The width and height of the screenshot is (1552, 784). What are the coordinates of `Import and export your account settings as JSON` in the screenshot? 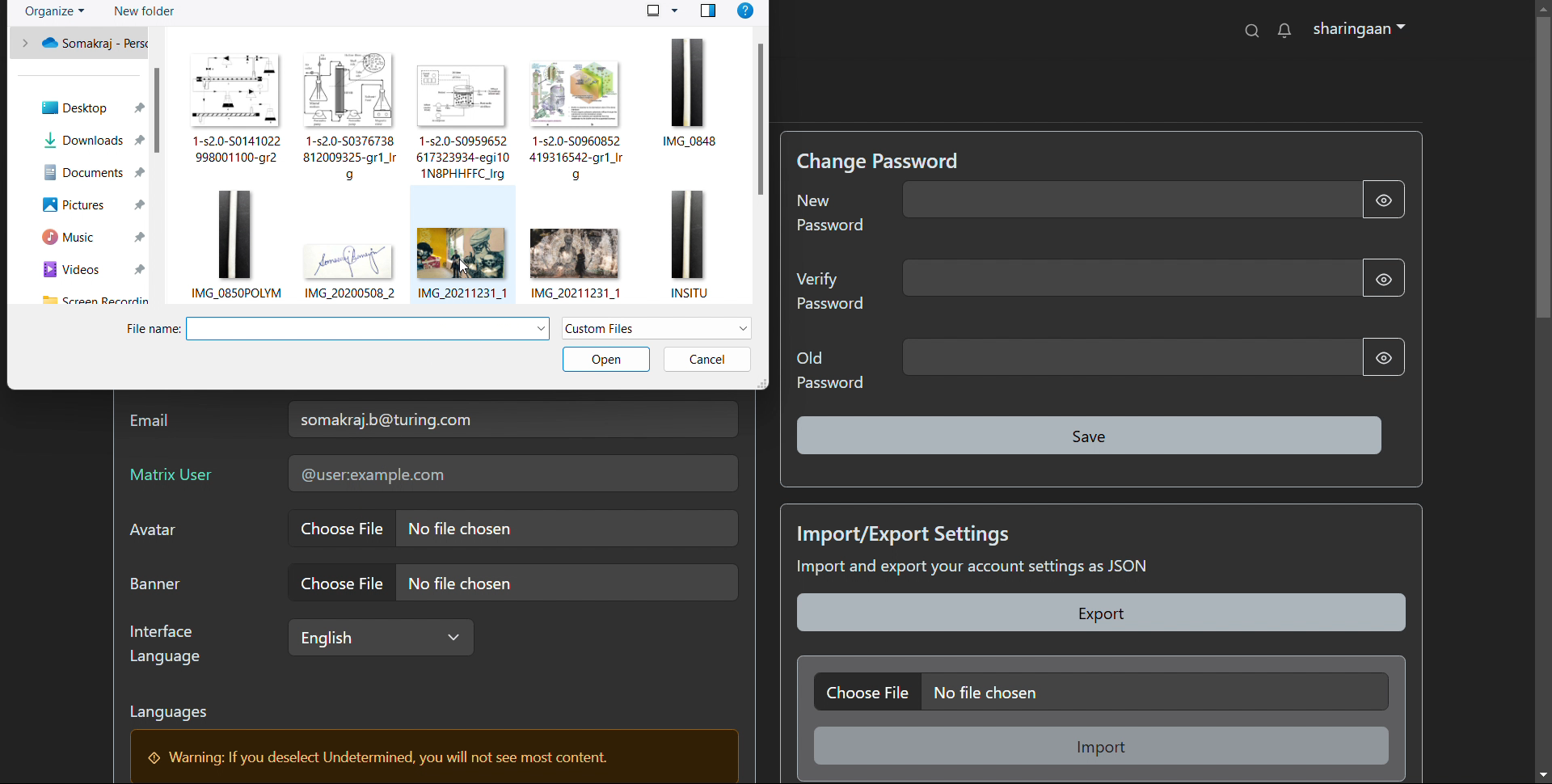 It's located at (1013, 570).